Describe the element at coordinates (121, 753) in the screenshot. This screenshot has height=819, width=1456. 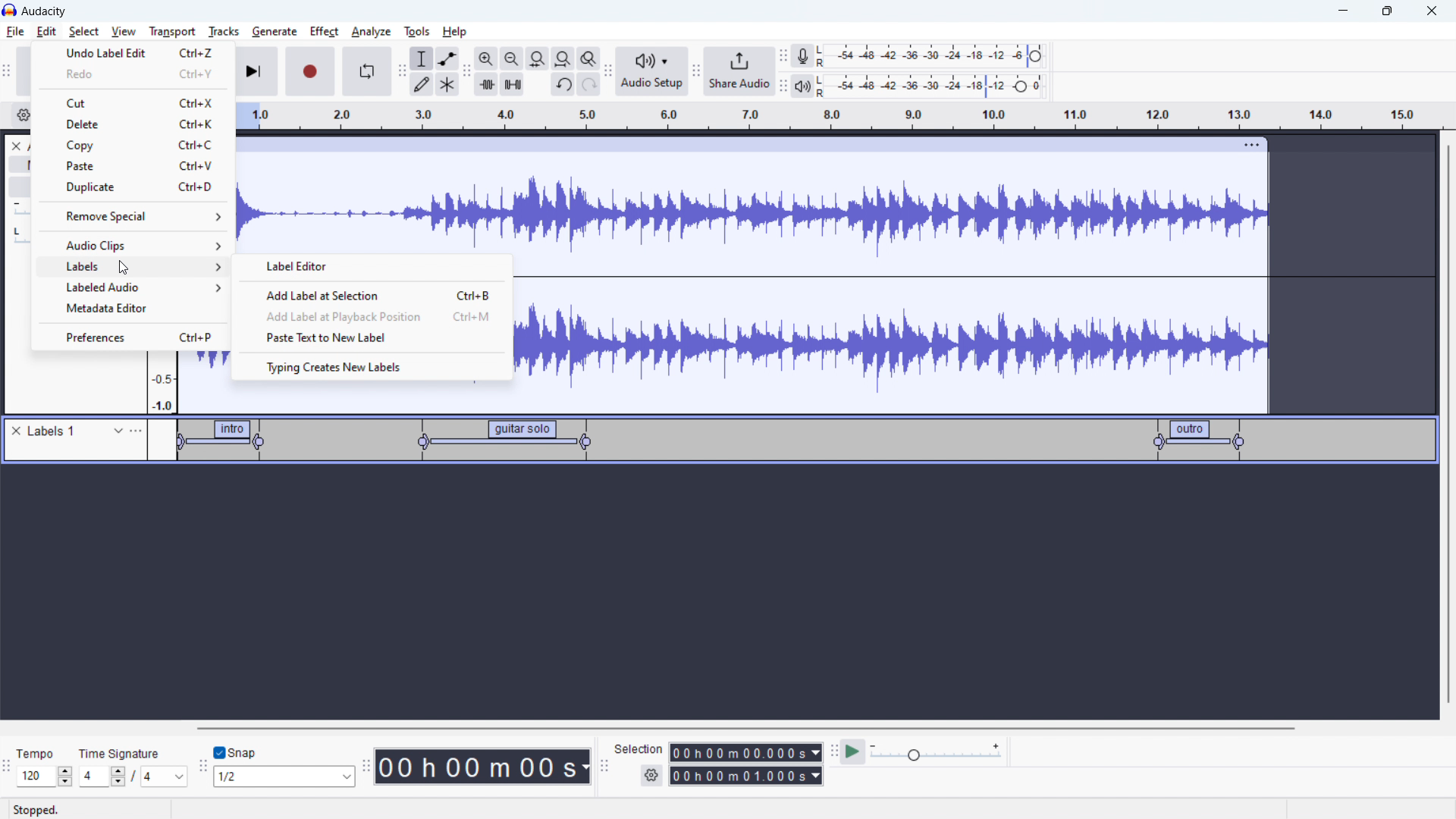
I see `time signature` at that location.